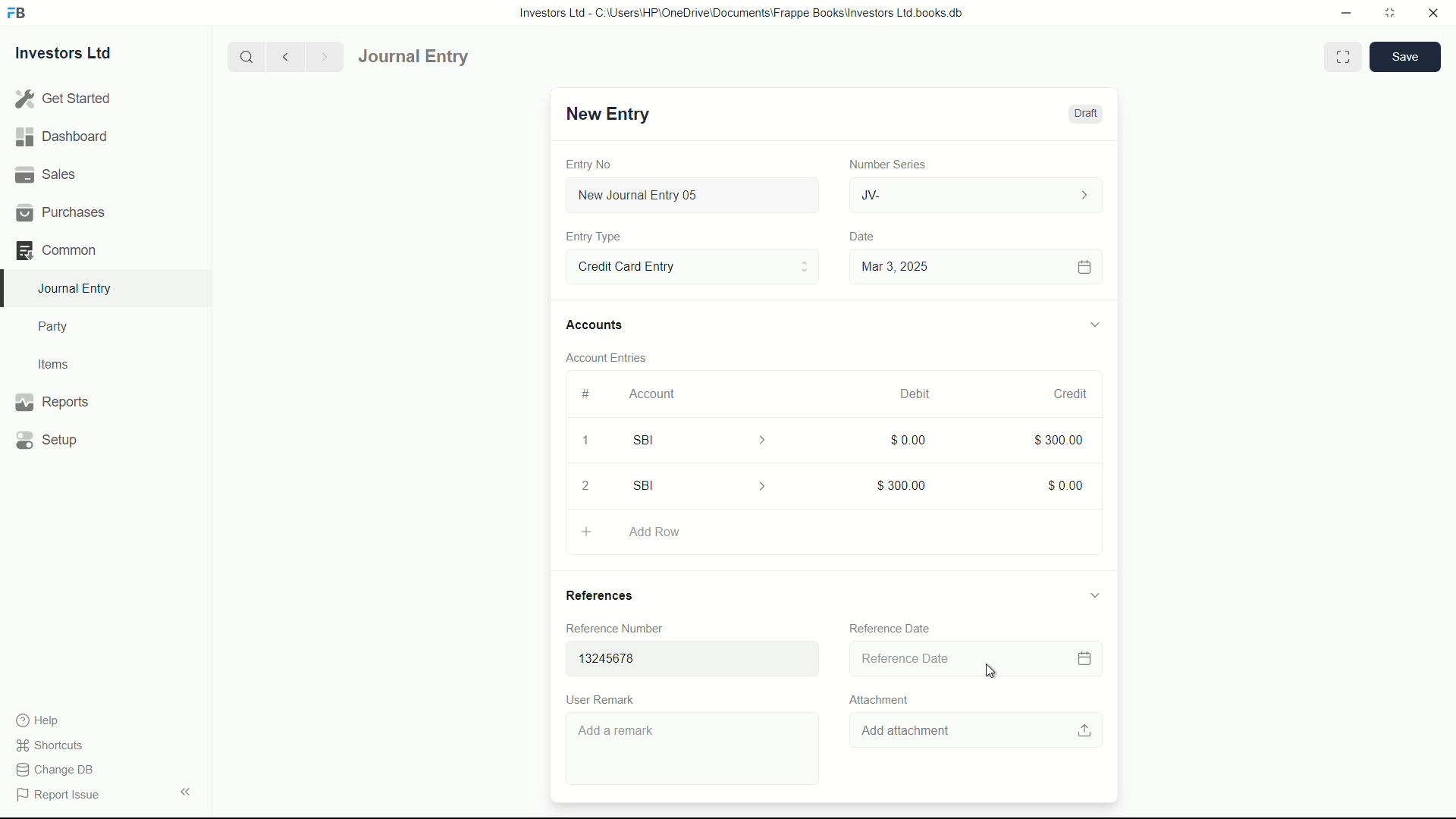 This screenshot has width=1456, height=819. I want to click on Account, so click(653, 394).